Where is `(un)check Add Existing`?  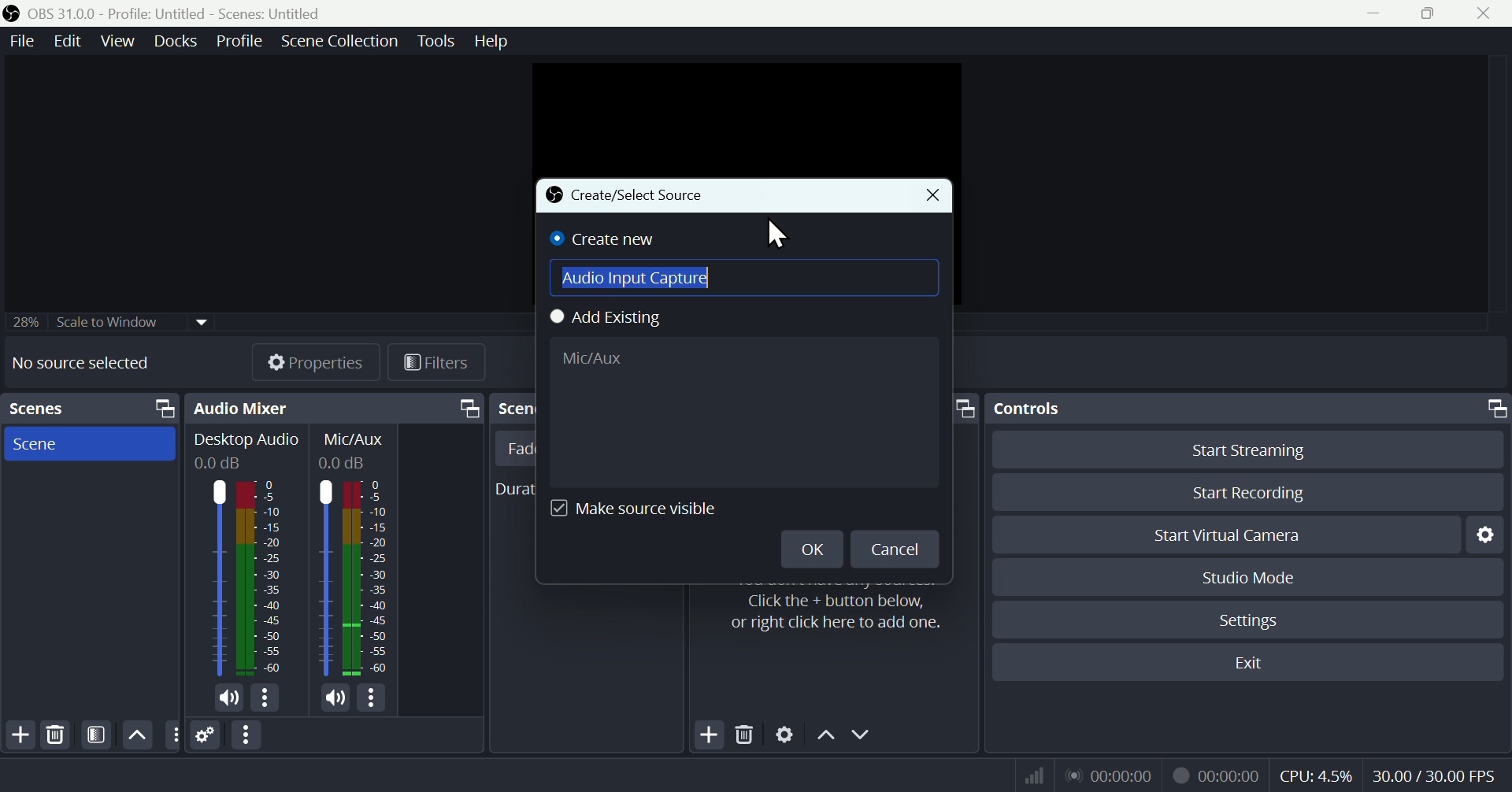
(un)check Add Existing is located at coordinates (614, 319).